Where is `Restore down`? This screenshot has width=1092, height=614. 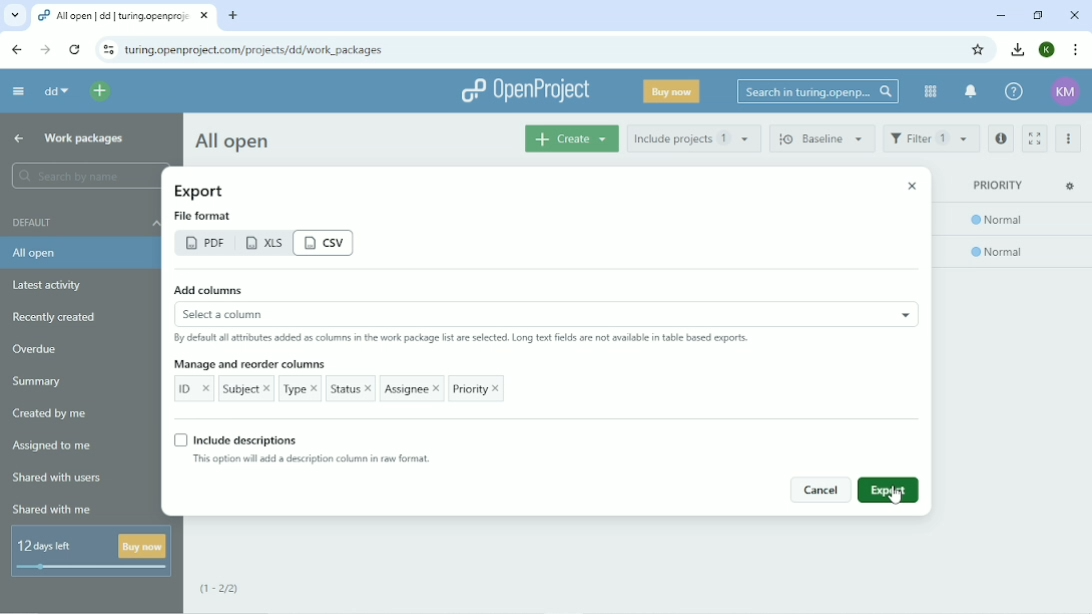
Restore down is located at coordinates (1038, 14).